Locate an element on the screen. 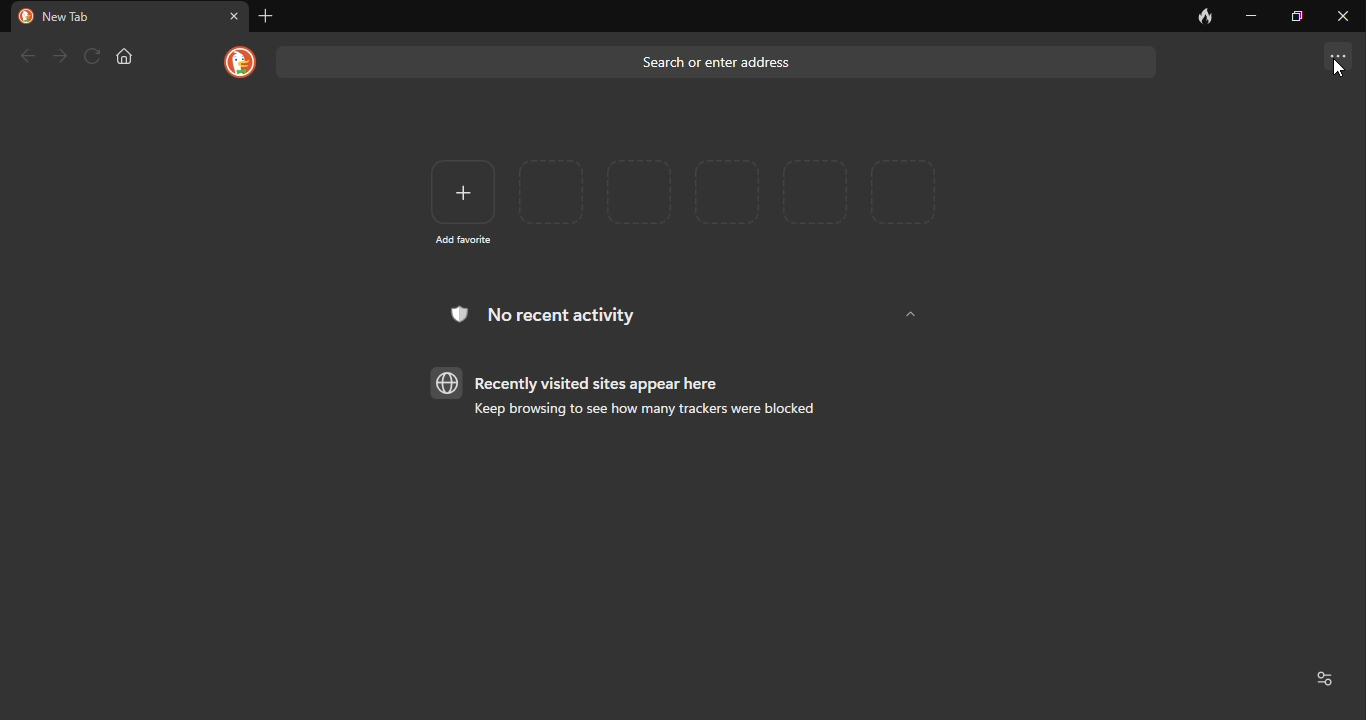  refresh is located at coordinates (91, 55).